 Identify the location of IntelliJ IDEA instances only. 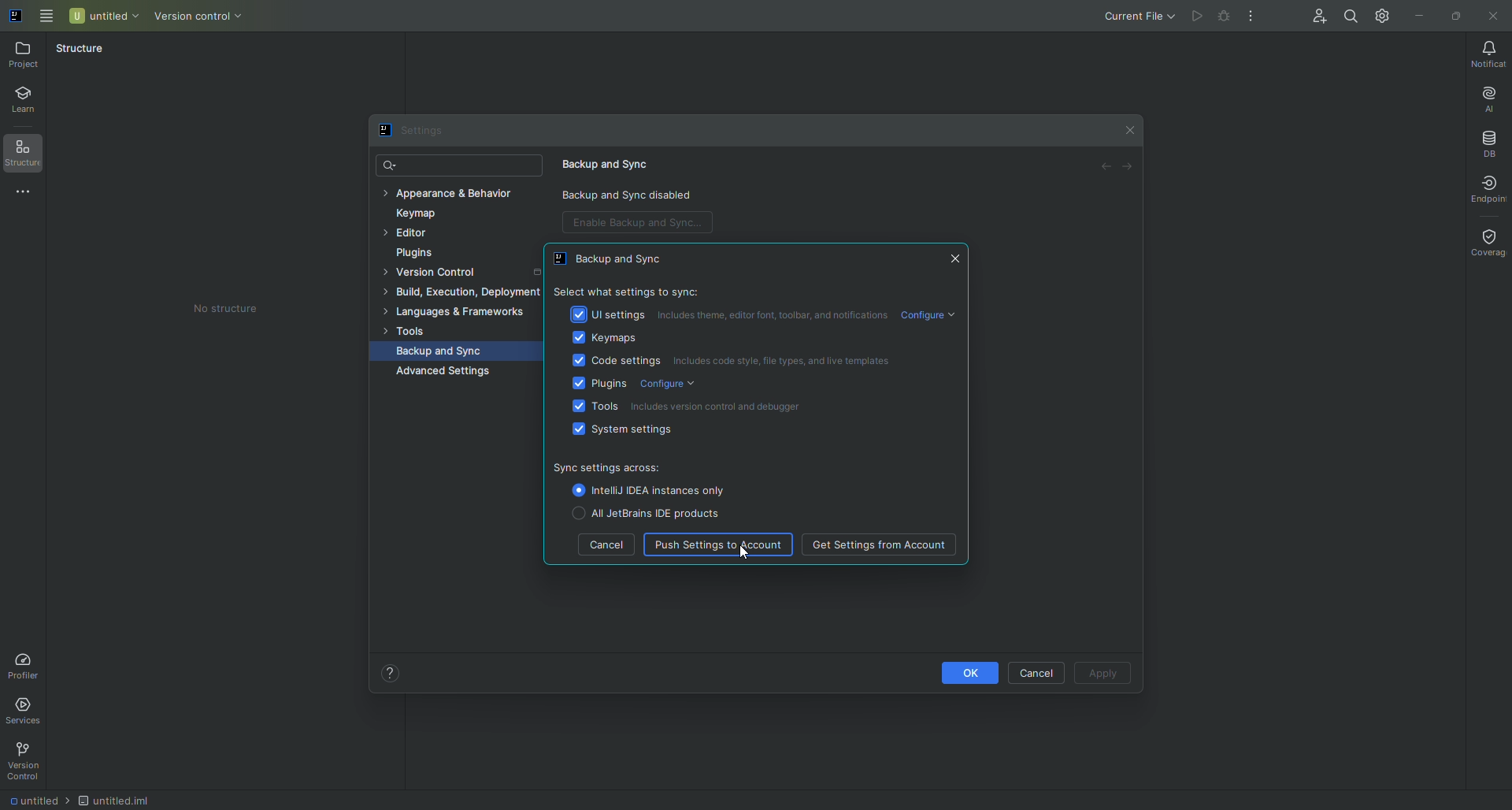
(647, 490).